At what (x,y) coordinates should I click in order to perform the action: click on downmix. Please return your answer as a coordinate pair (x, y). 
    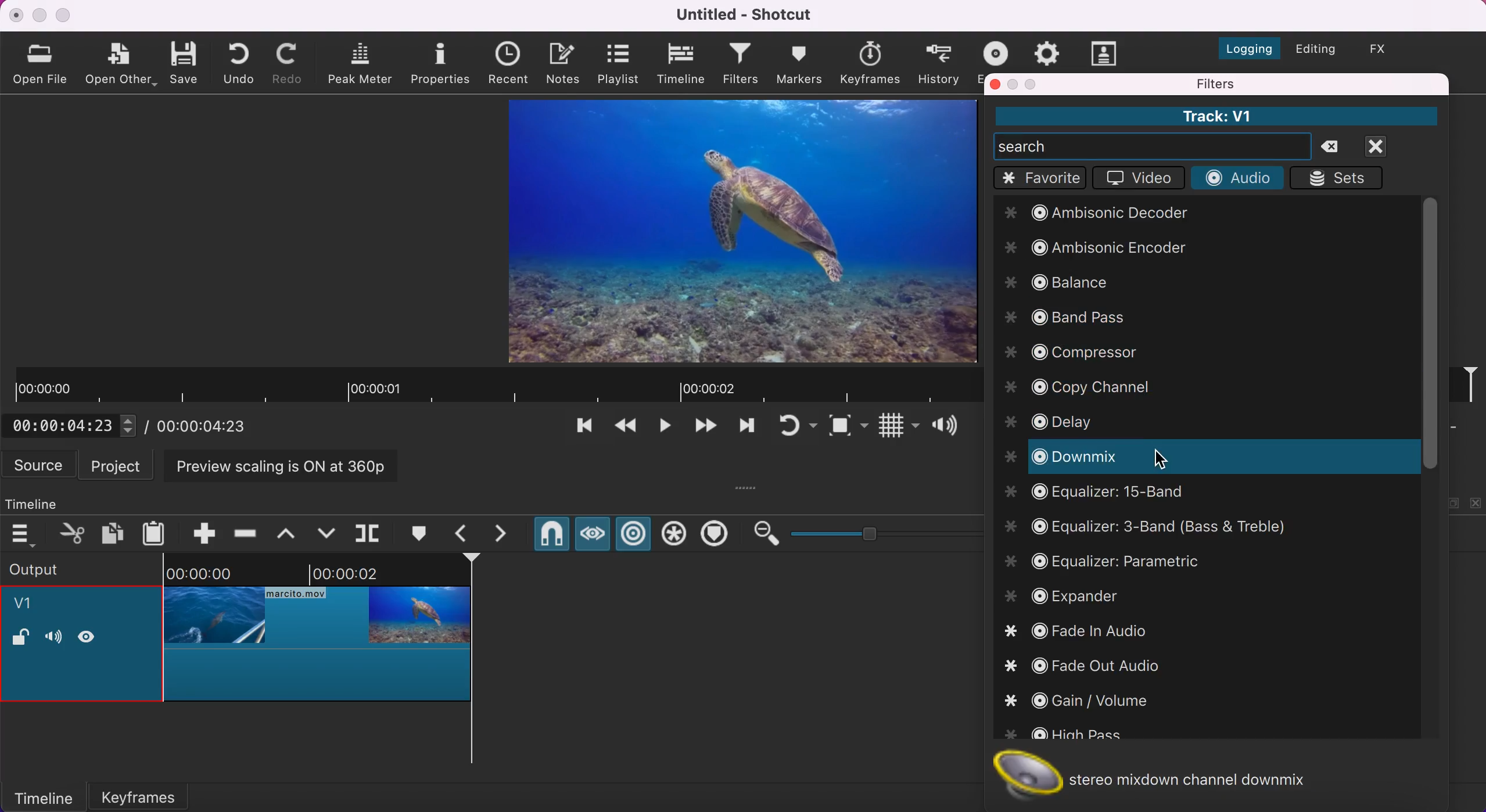
    Looking at the image, I should click on (1186, 458).